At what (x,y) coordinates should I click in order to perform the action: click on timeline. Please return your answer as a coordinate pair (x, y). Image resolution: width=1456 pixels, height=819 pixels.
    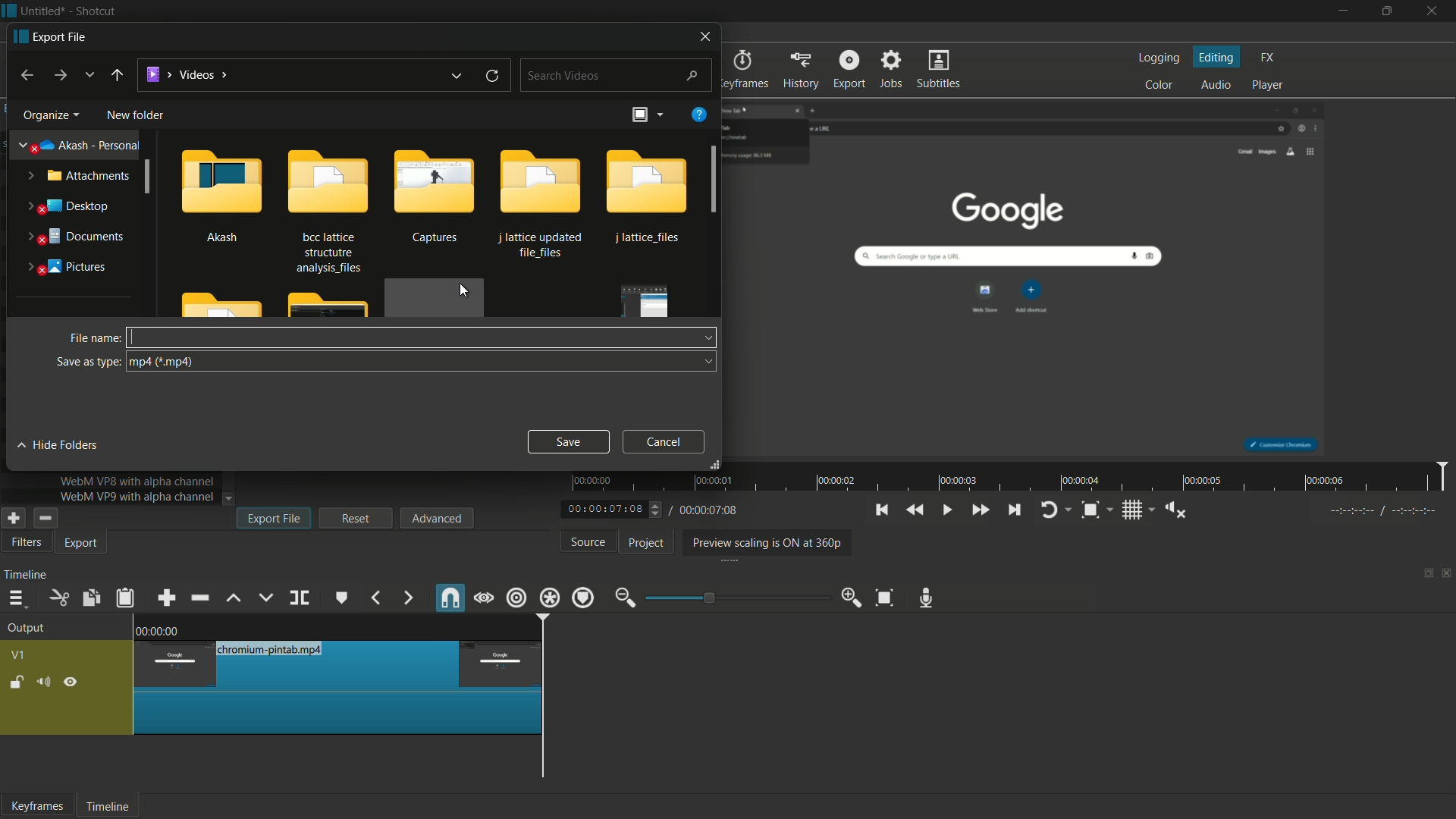
    Looking at the image, I should click on (105, 808).